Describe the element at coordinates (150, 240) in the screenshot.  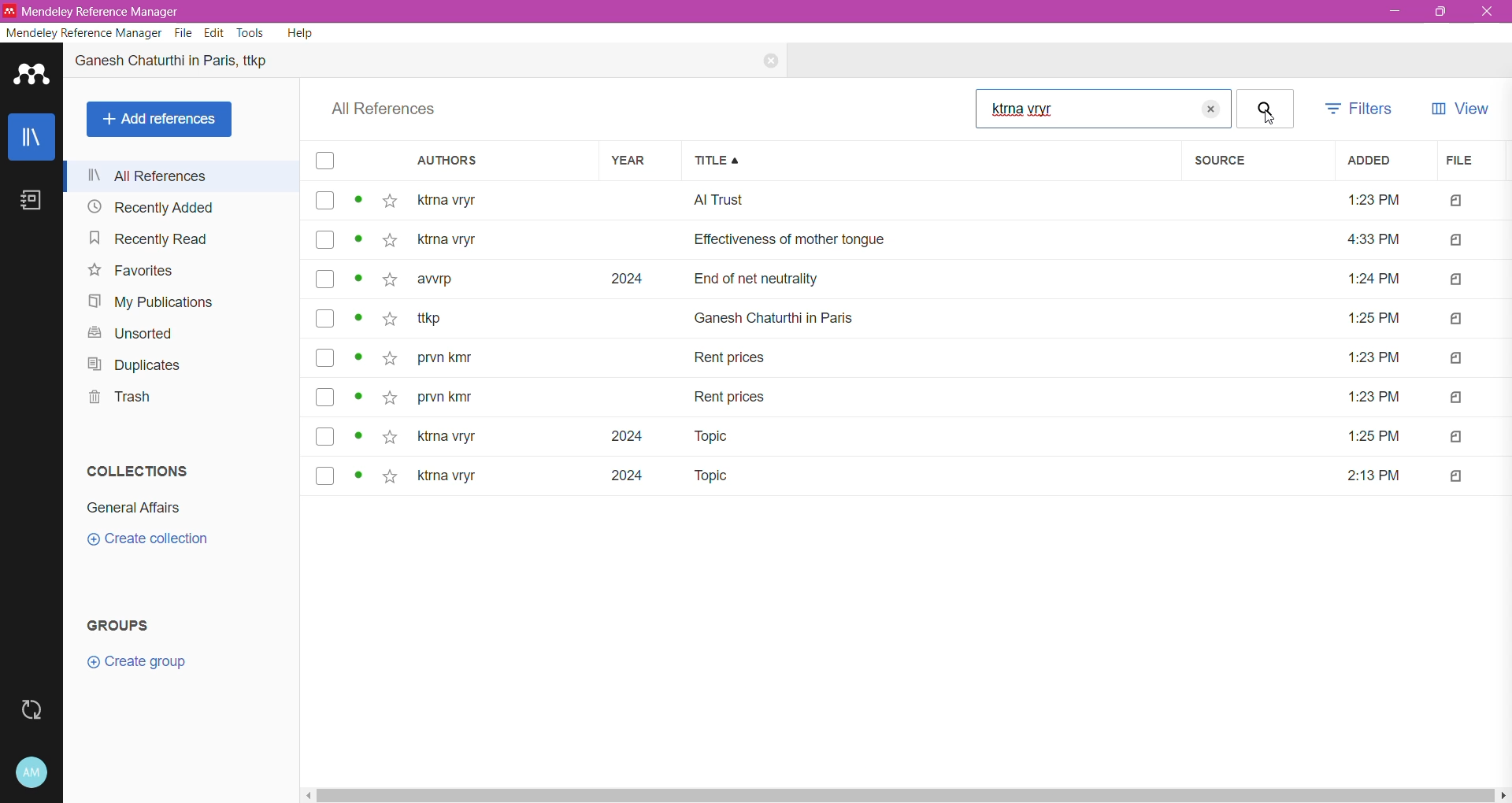
I see `Recently Read` at that location.